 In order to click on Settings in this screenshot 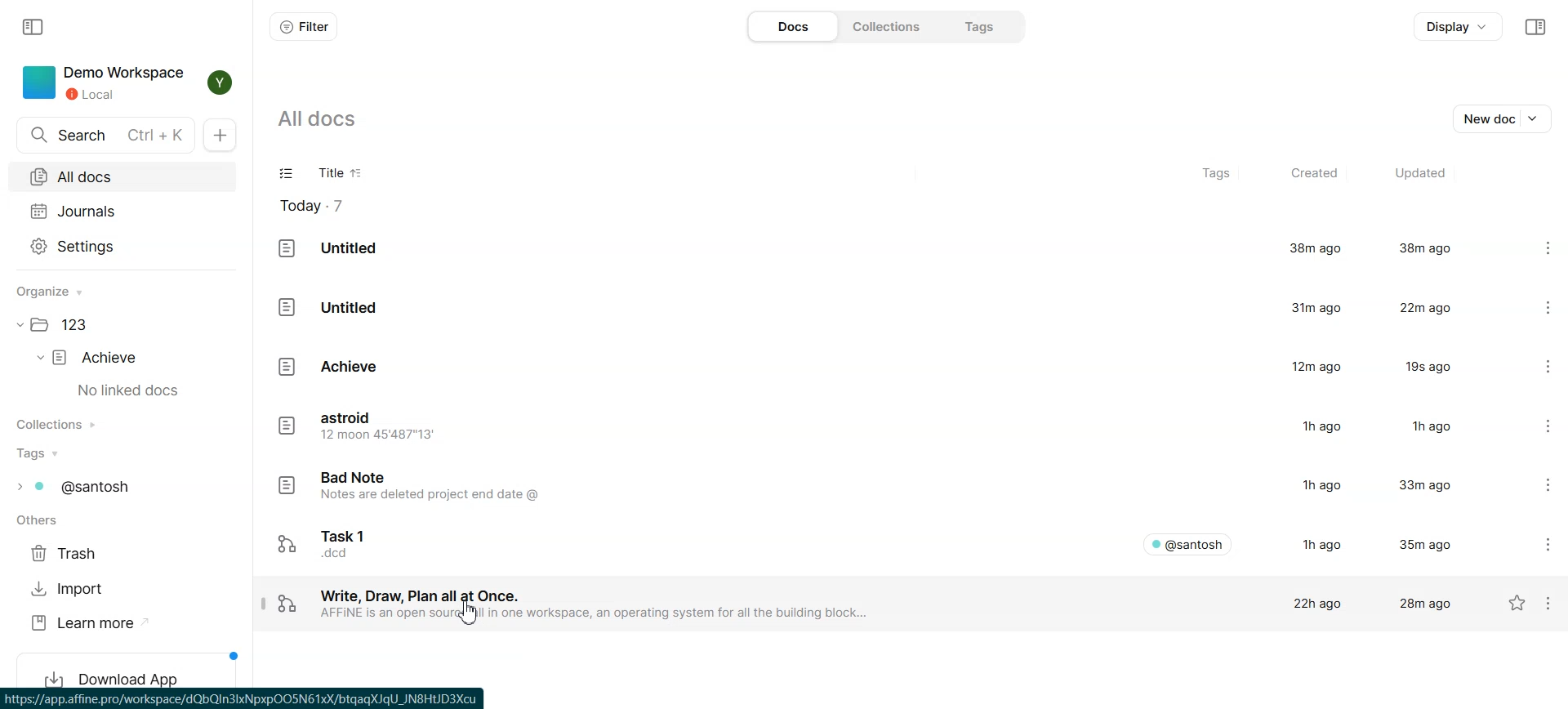, I will do `click(1537, 488)`.